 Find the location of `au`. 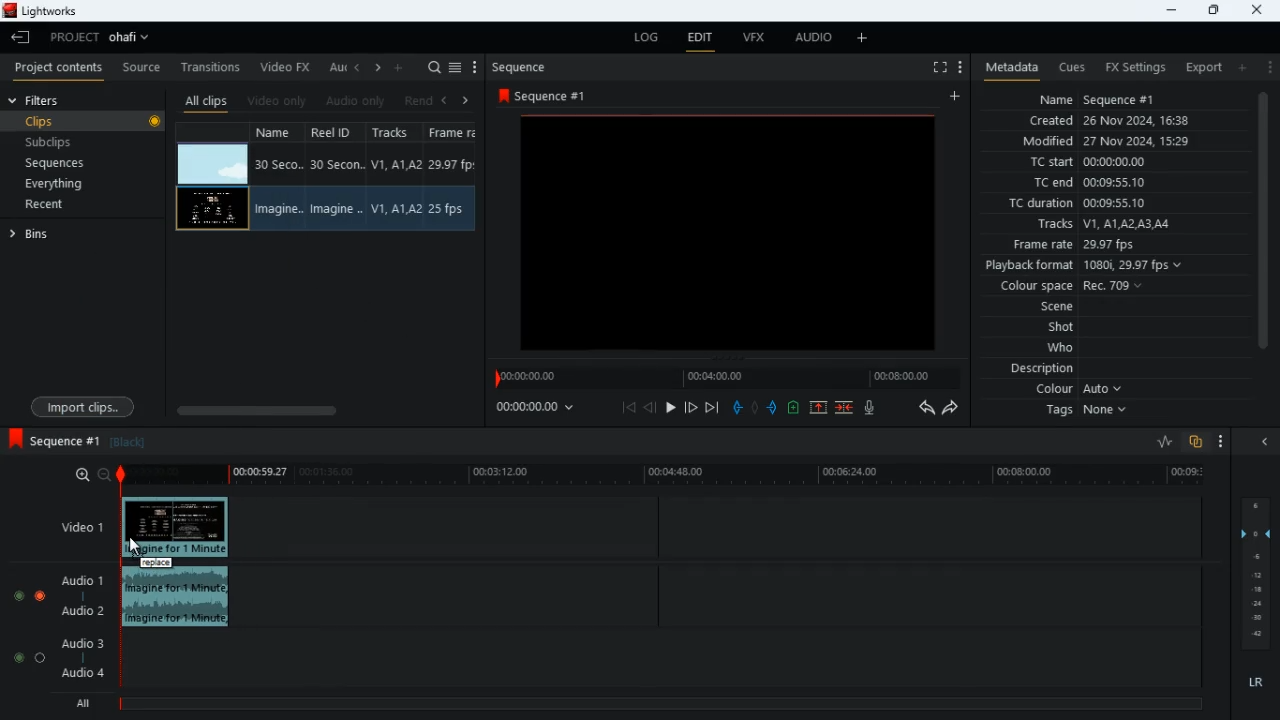

au is located at coordinates (336, 67).